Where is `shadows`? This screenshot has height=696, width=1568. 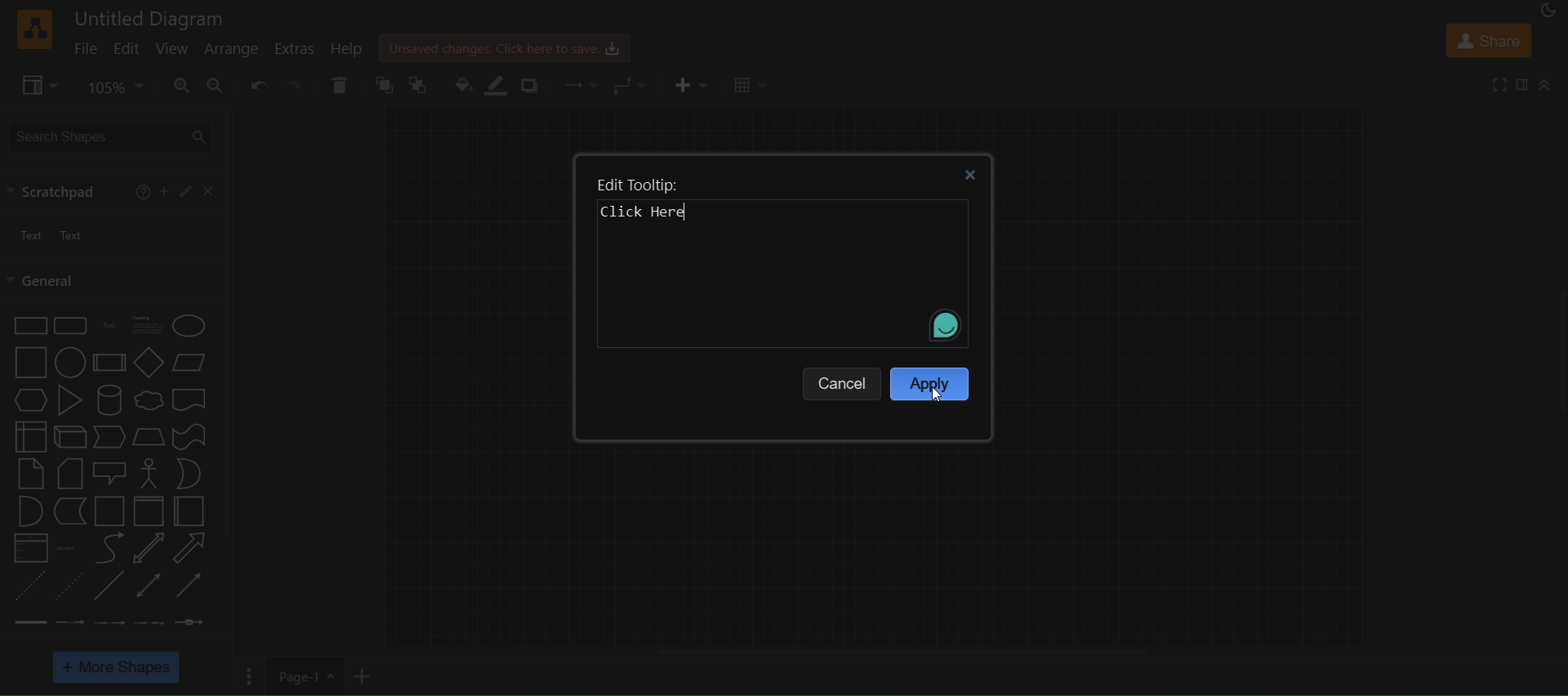 shadows is located at coordinates (531, 87).